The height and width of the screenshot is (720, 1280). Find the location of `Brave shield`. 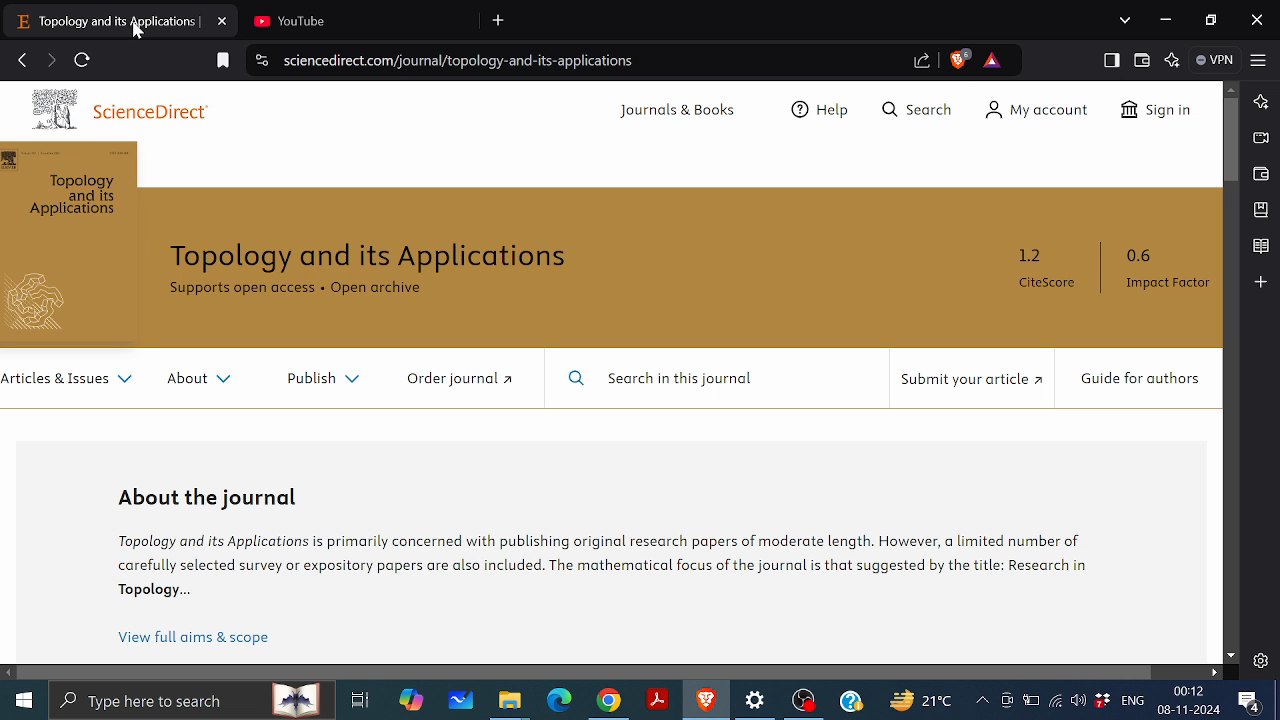

Brave shield is located at coordinates (959, 59).